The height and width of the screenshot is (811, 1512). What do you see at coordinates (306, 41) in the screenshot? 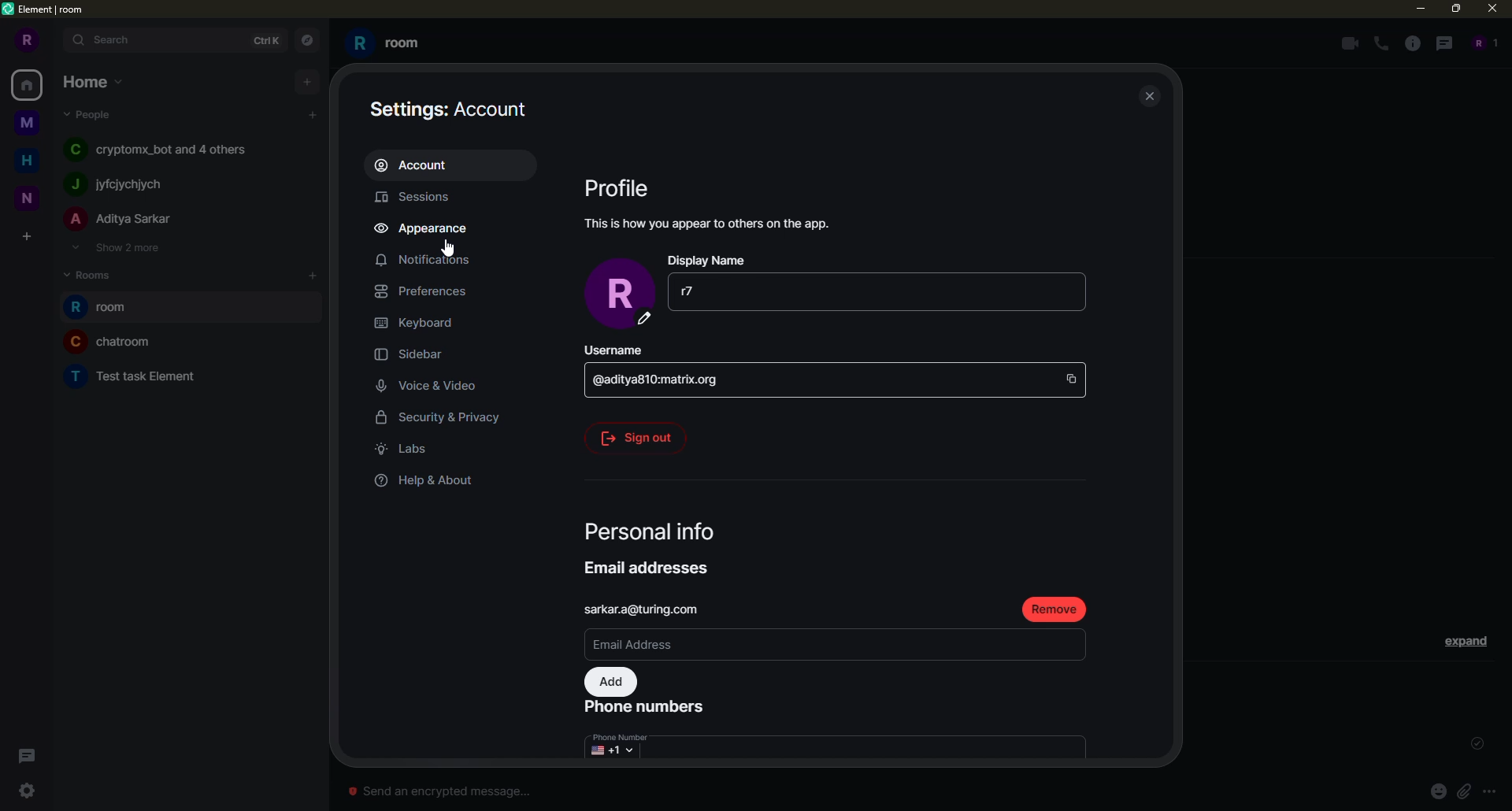
I see `navigator` at bounding box center [306, 41].